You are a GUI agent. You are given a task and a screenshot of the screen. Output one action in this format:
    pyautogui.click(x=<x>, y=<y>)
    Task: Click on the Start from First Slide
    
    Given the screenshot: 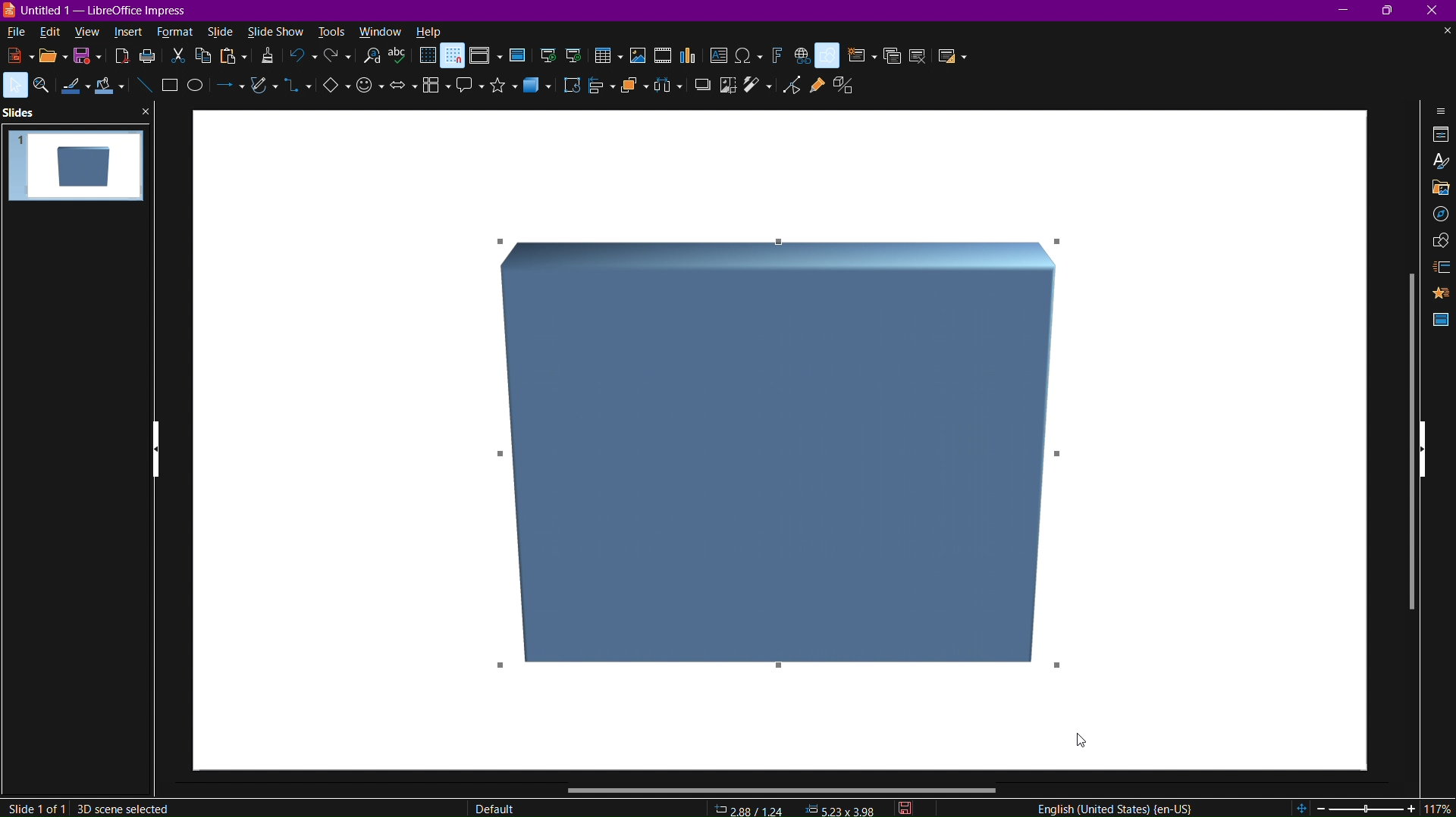 What is the action you would take?
    pyautogui.click(x=548, y=56)
    